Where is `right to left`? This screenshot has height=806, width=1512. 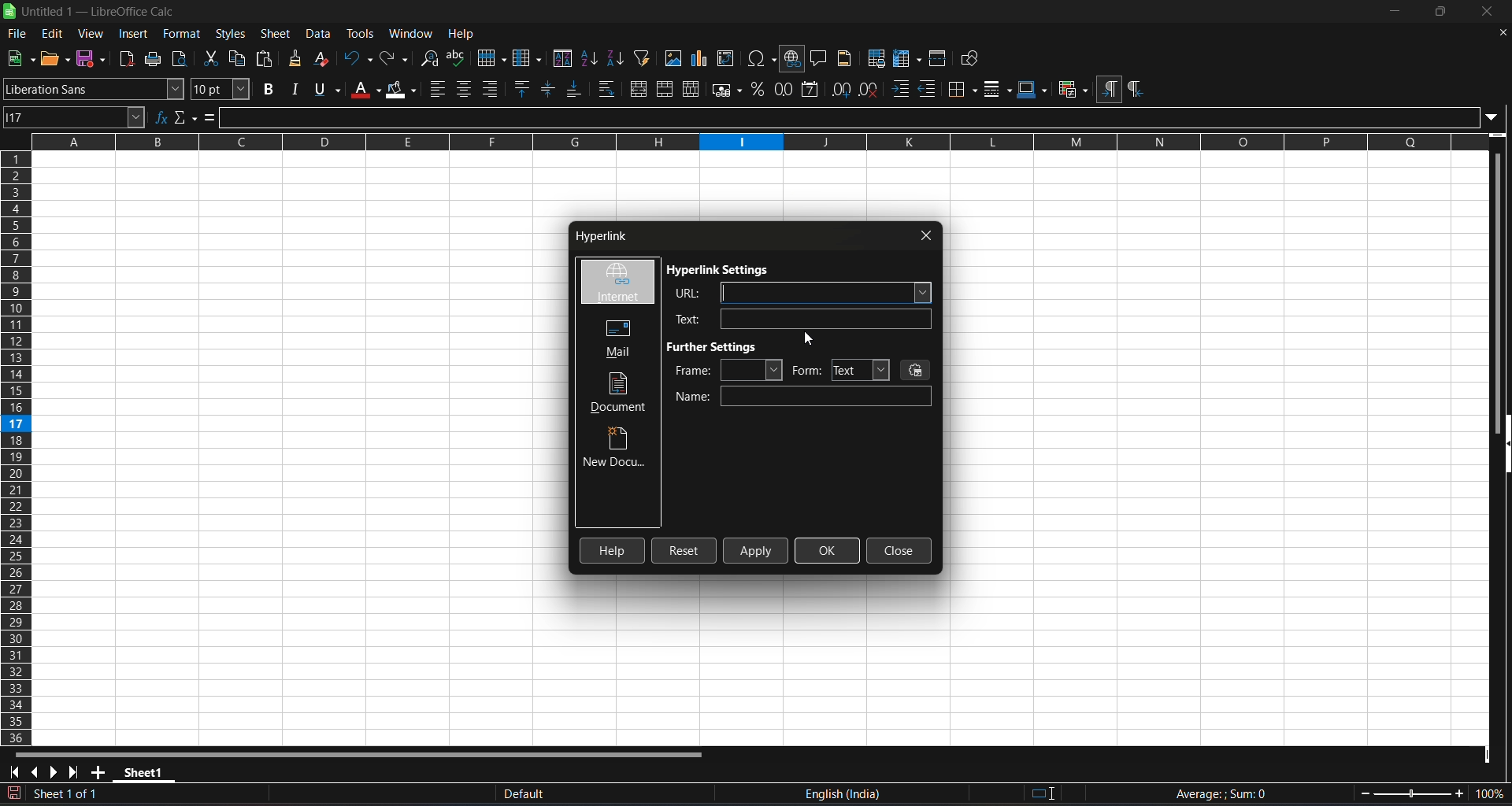
right to left is located at coordinates (1135, 90).